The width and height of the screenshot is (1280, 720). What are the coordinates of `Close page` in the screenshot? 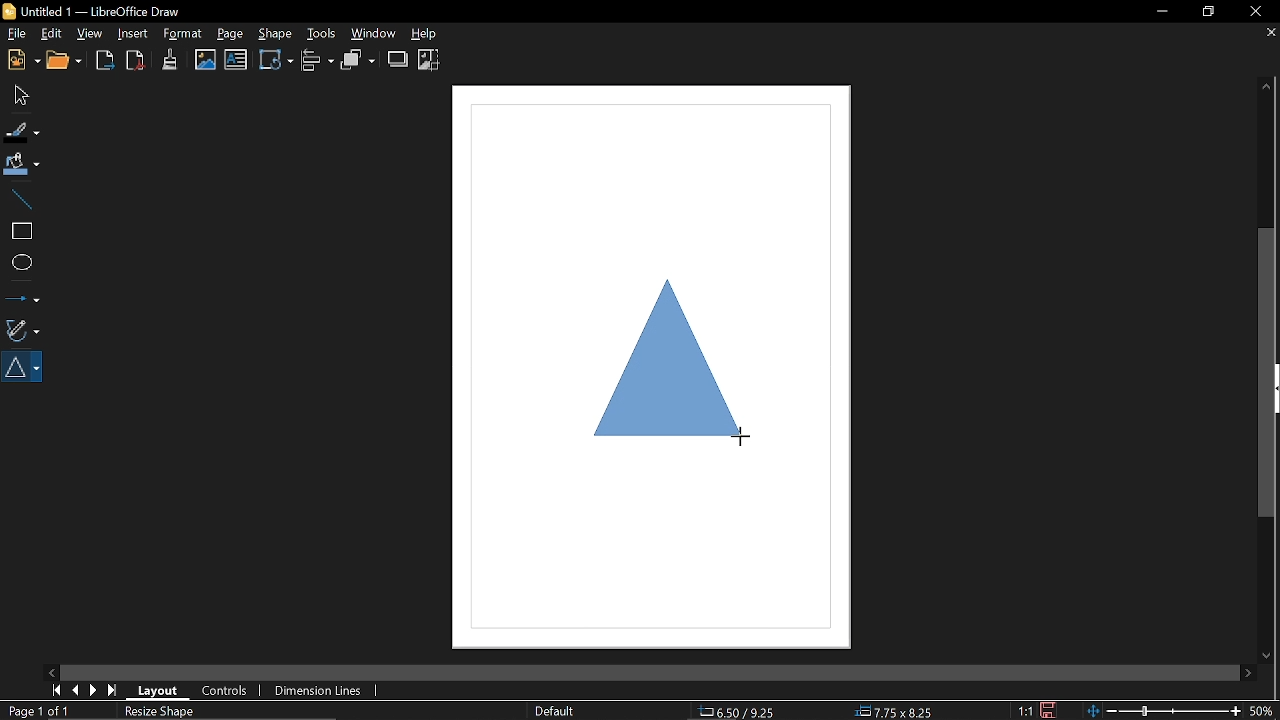 It's located at (1268, 33).